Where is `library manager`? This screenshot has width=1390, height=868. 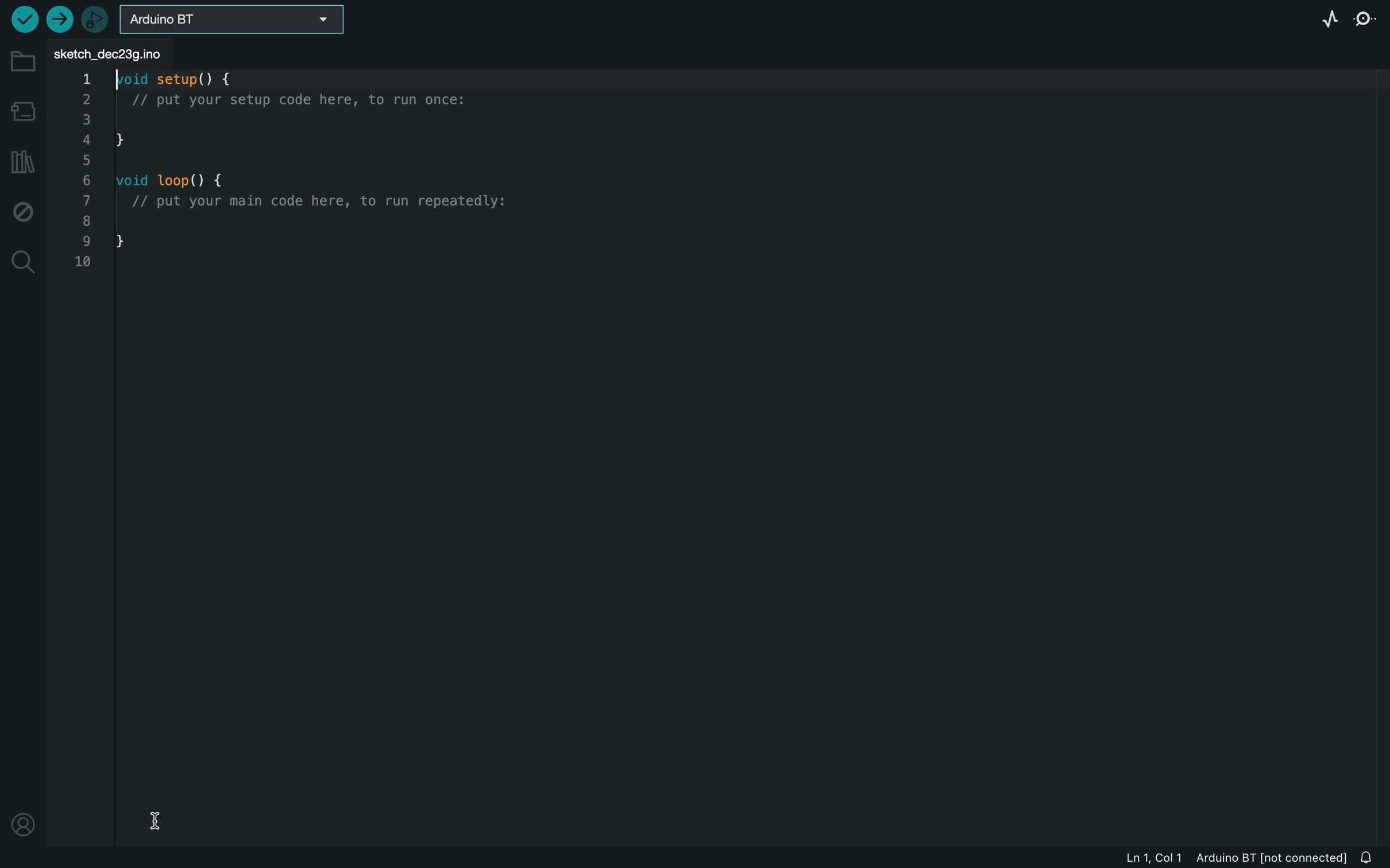 library manager is located at coordinates (22, 163).